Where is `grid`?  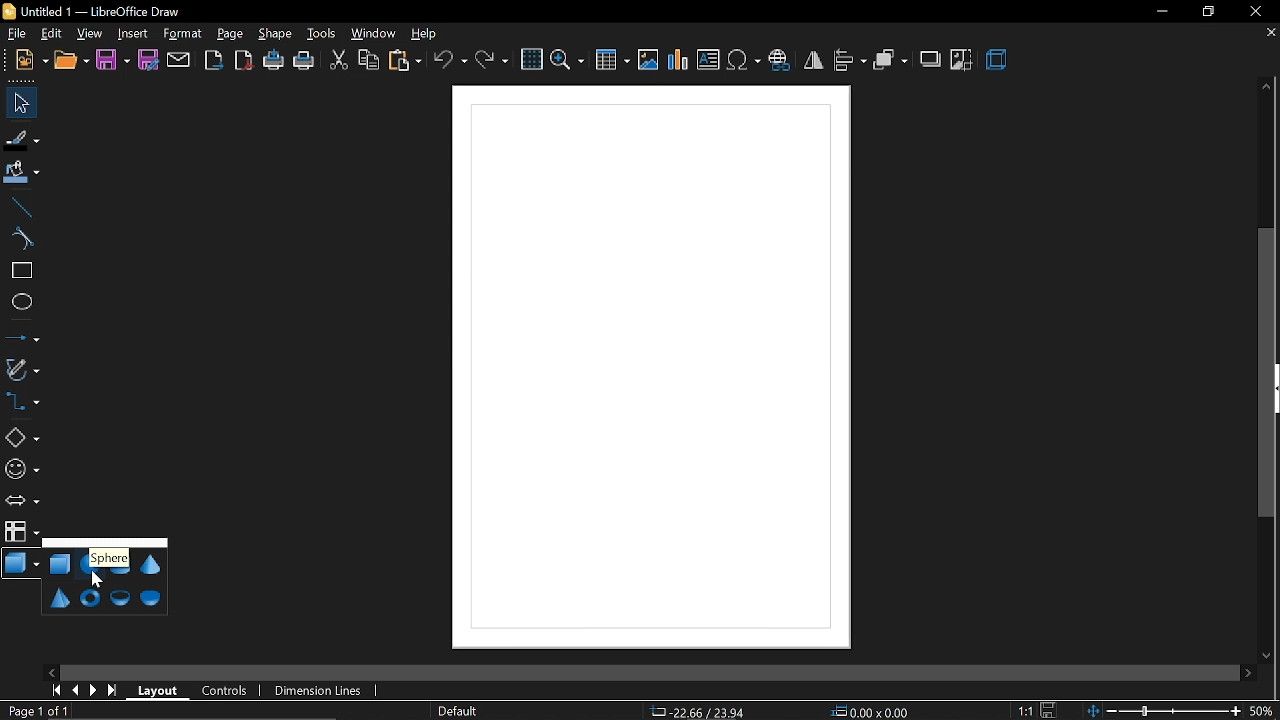
grid is located at coordinates (531, 58).